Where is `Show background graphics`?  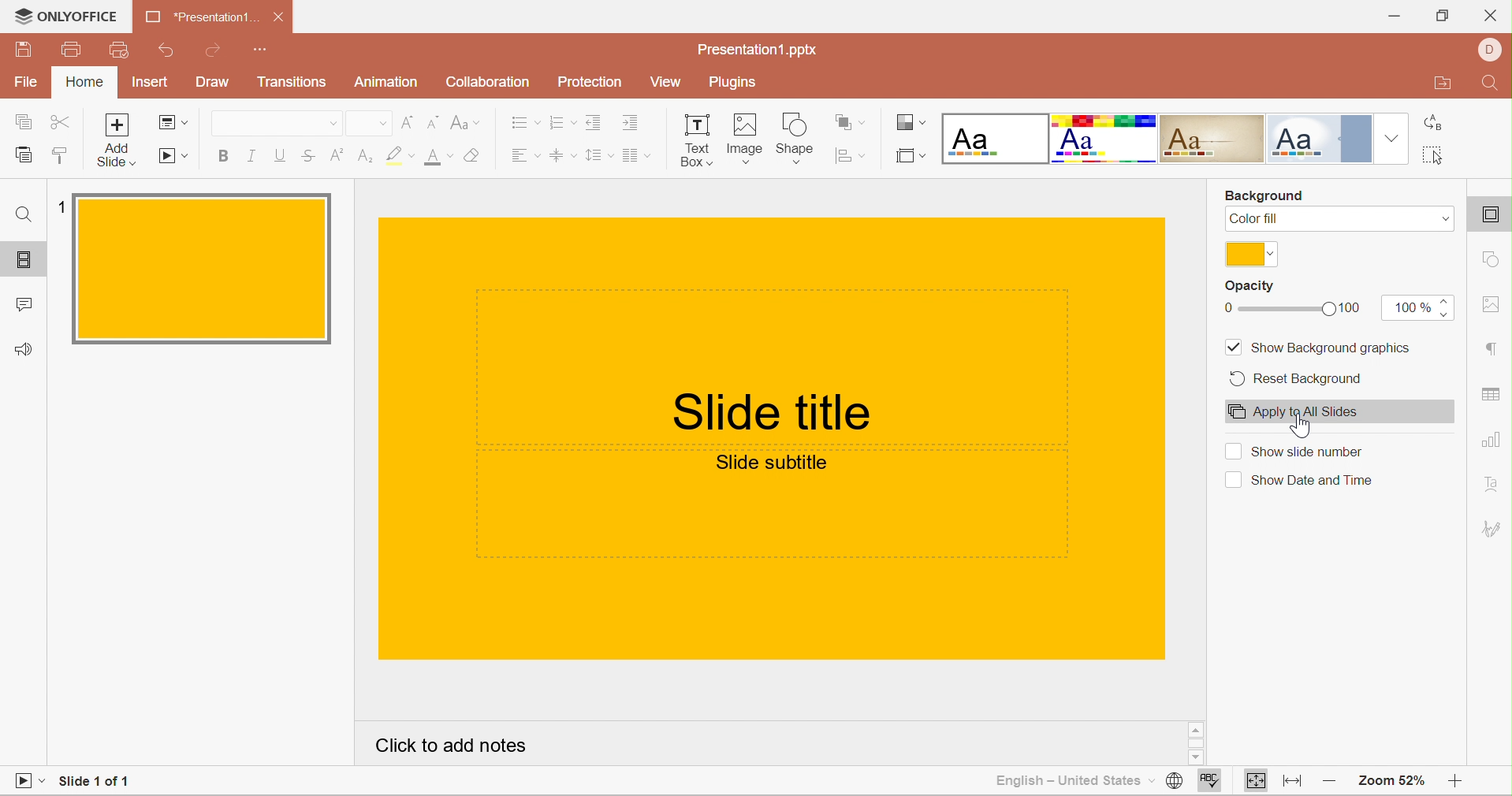
Show background graphics is located at coordinates (1320, 346).